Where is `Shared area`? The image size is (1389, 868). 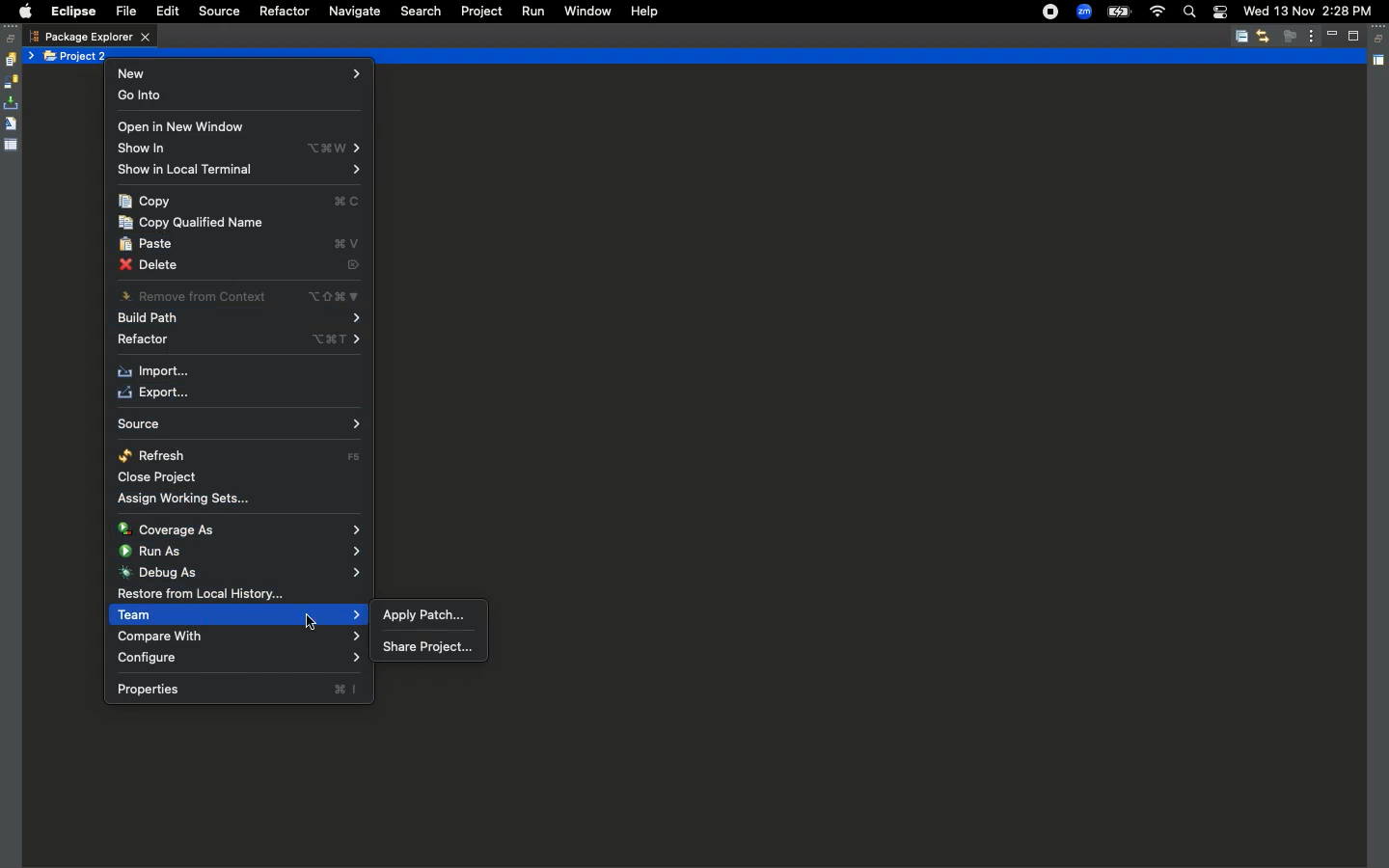
Shared area is located at coordinates (1380, 64).